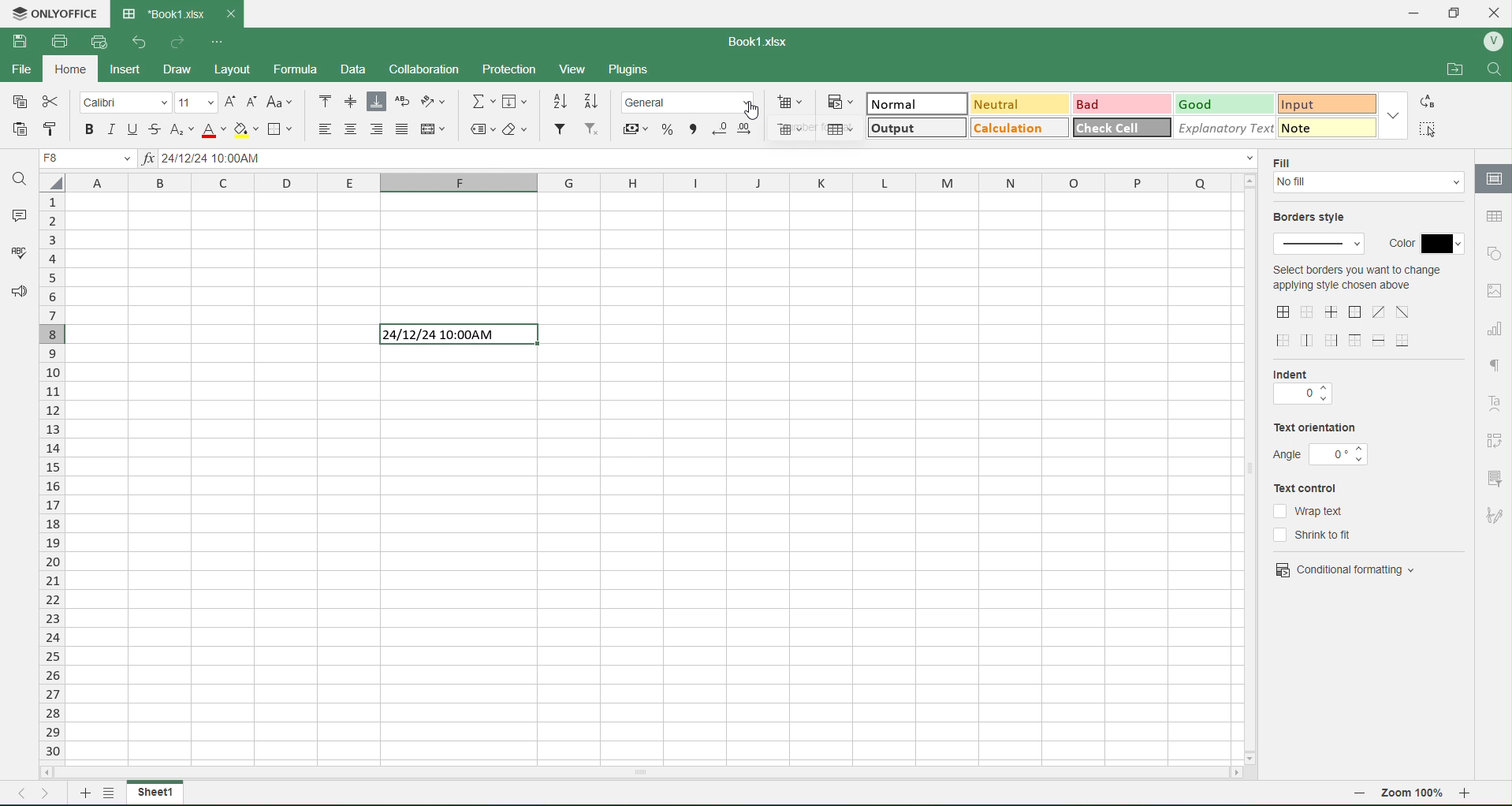 The height and width of the screenshot is (806, 1512). Describe the element at coordinates (155, 793) in the screenshot. I see `sheet1` at that location.